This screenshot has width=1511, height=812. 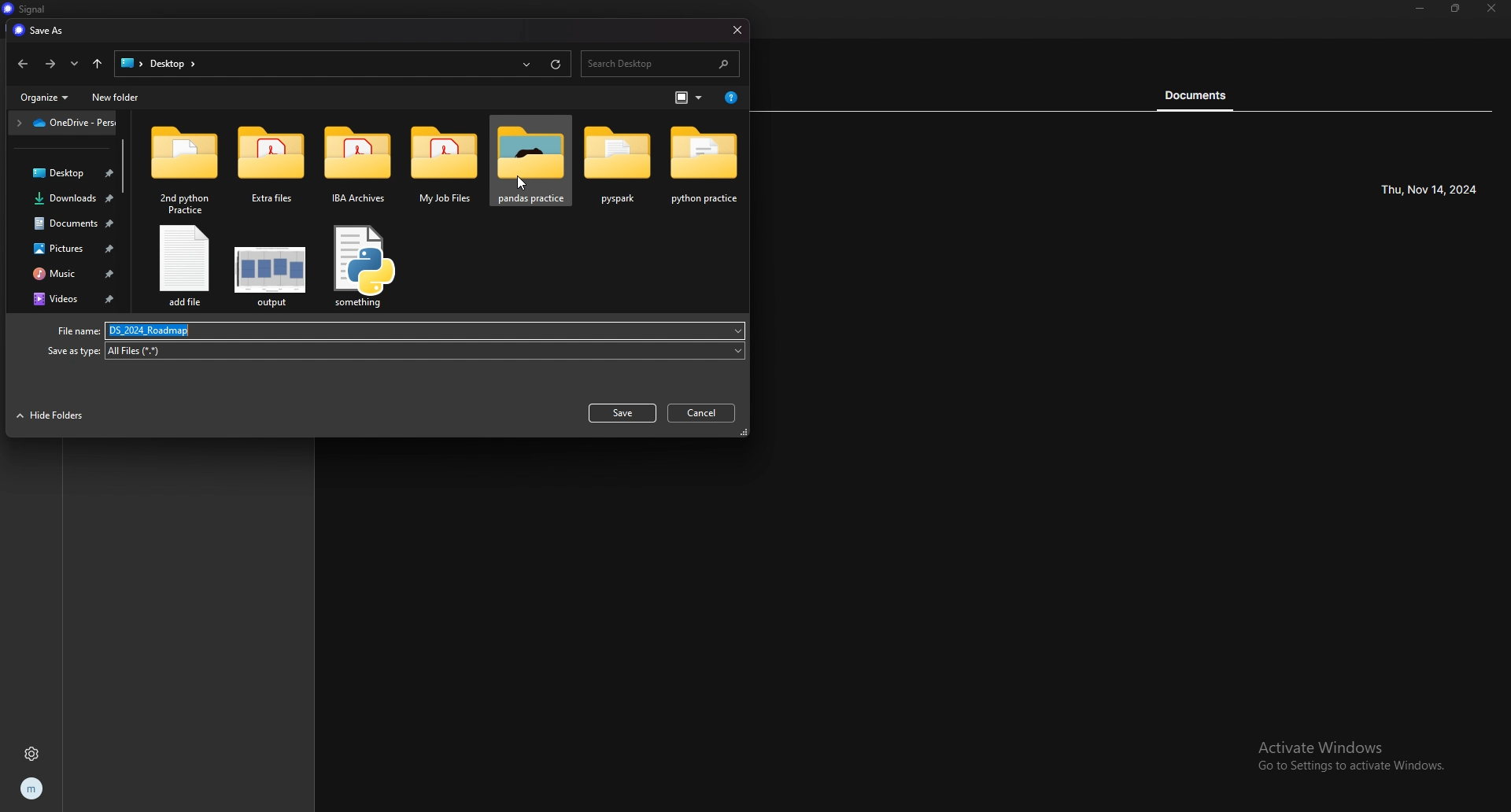 What do you see at coordinates (397, 330) in the screenshot?
I see `file name` at bounding box center [397, 330].